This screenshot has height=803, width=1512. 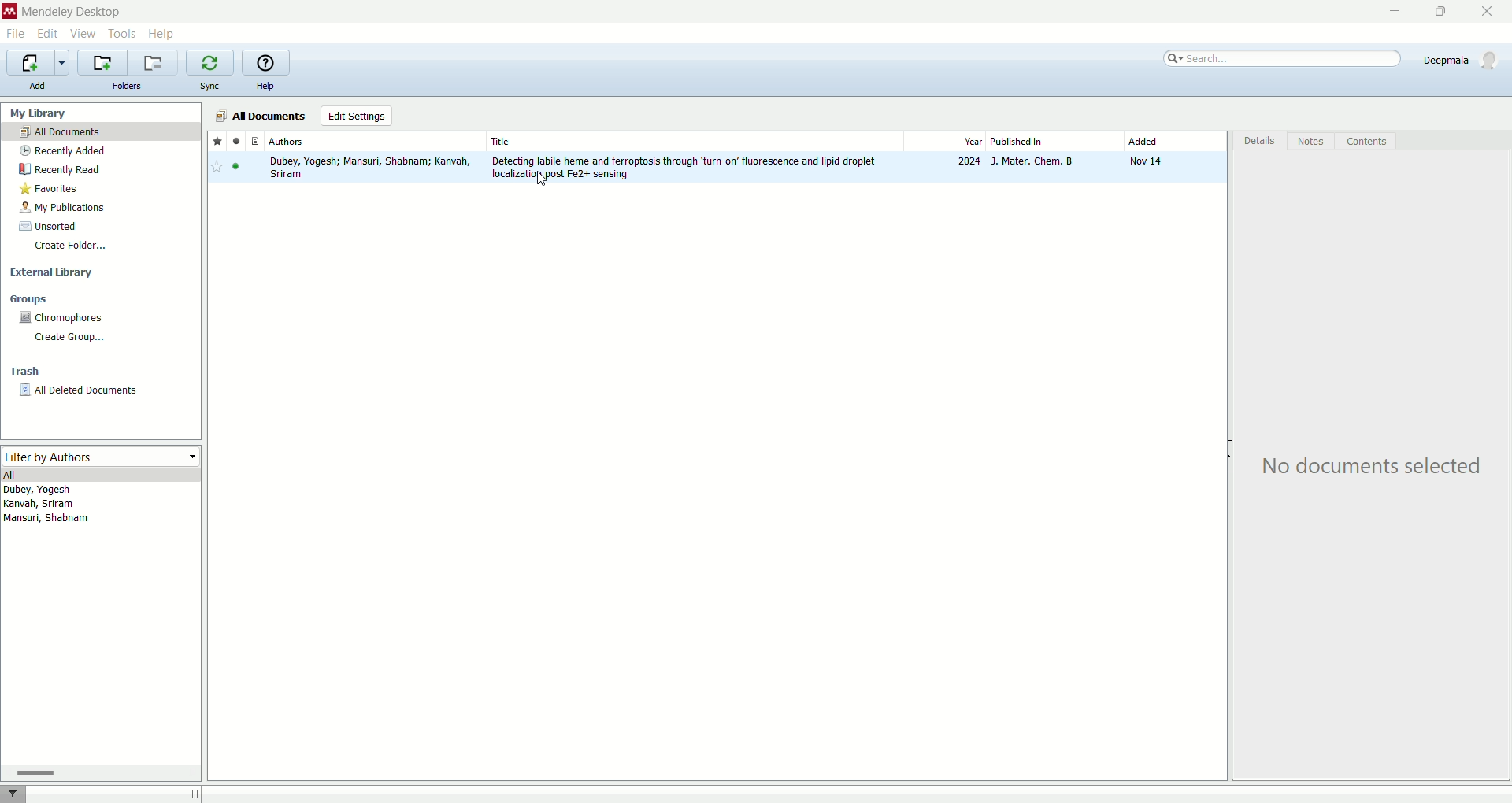 What do you see at coordinates (54, 273) in the screenshot?
I see `external library` at bounding box center [54, 273].